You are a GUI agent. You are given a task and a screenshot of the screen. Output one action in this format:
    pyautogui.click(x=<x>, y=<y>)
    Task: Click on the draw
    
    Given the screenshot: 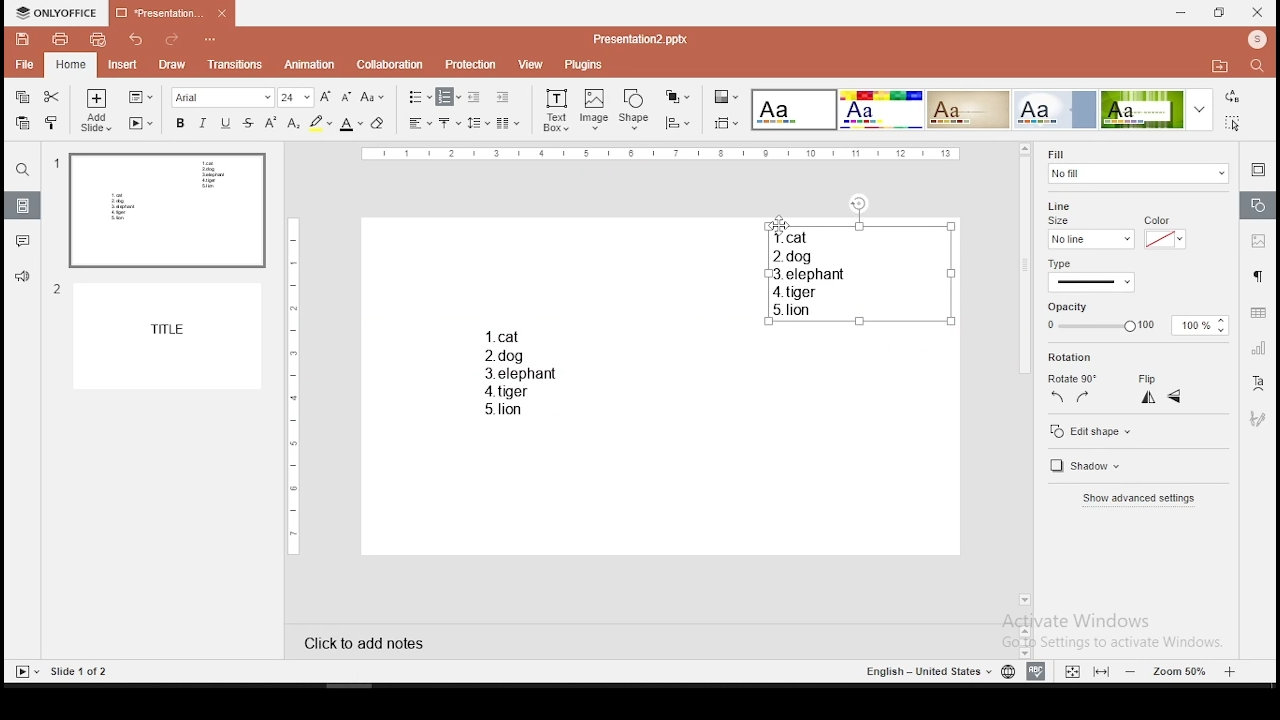 What is the action you would take?
    pyautogui.click(x=172, y=66)
    